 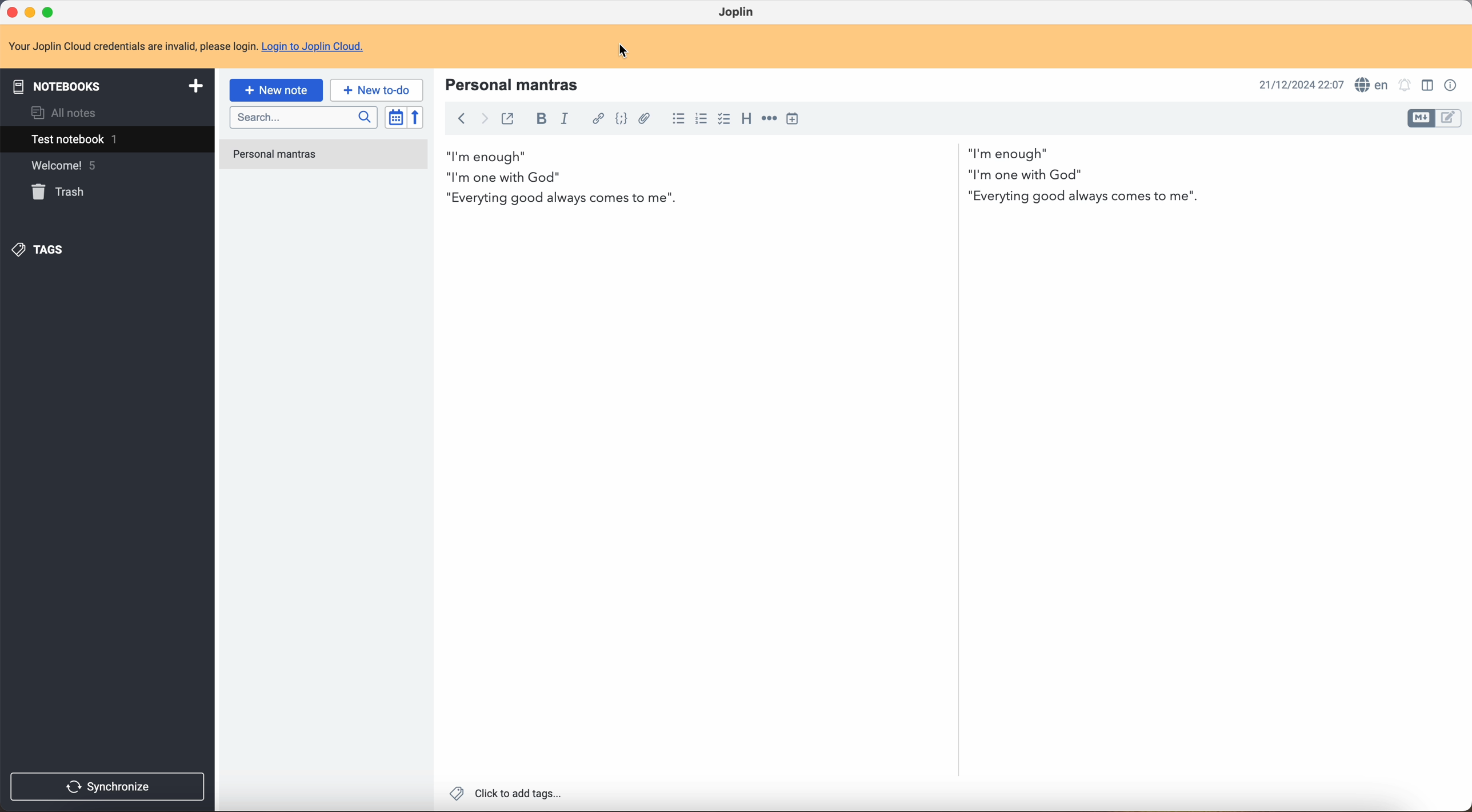 I want to click on bulleted list, so click(x=677, y=118).